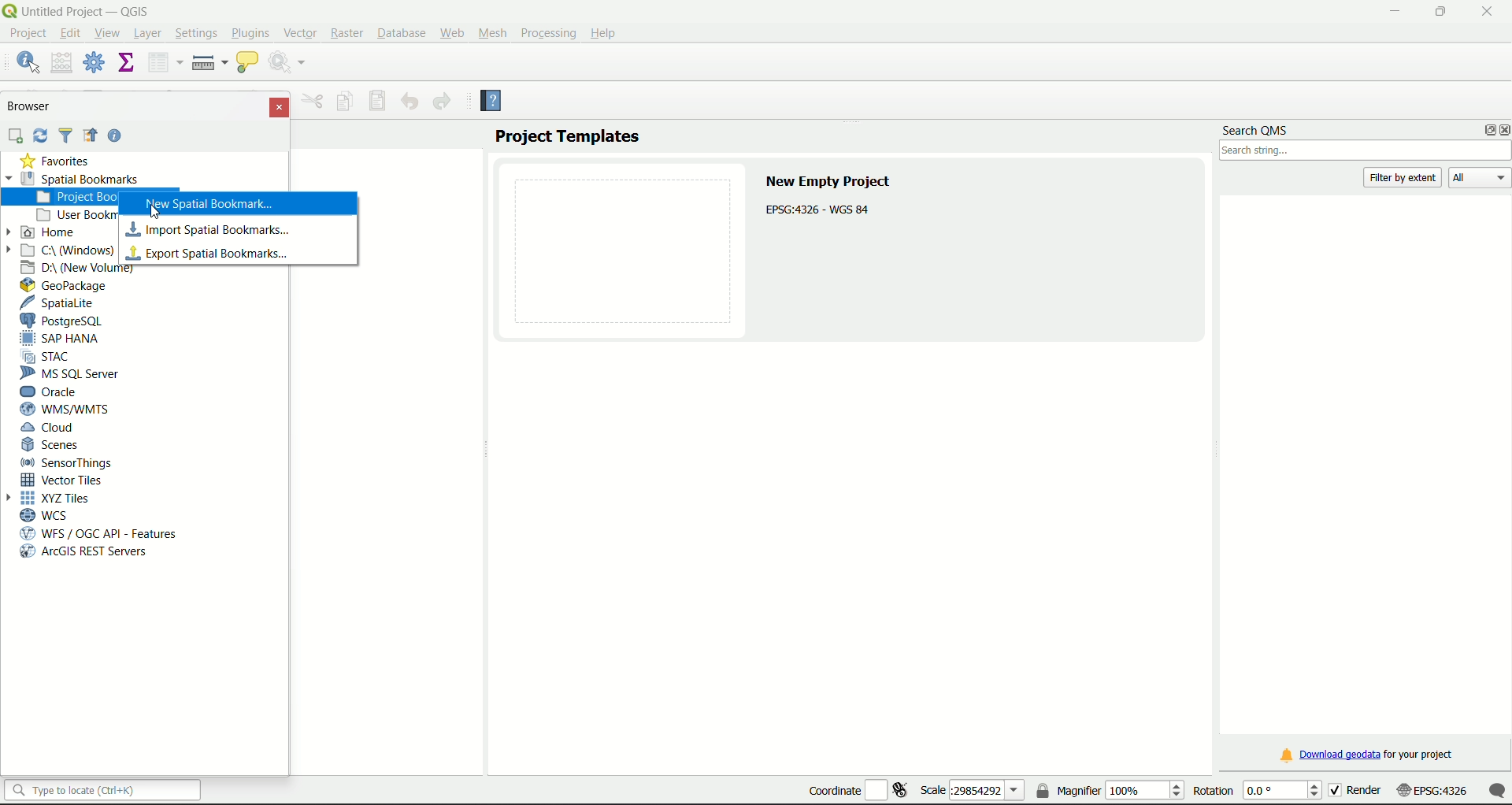  What do you see at coordinates (1255, 128) in the screenshot?
I see `search QMS` at bounding box center [1255, 128].